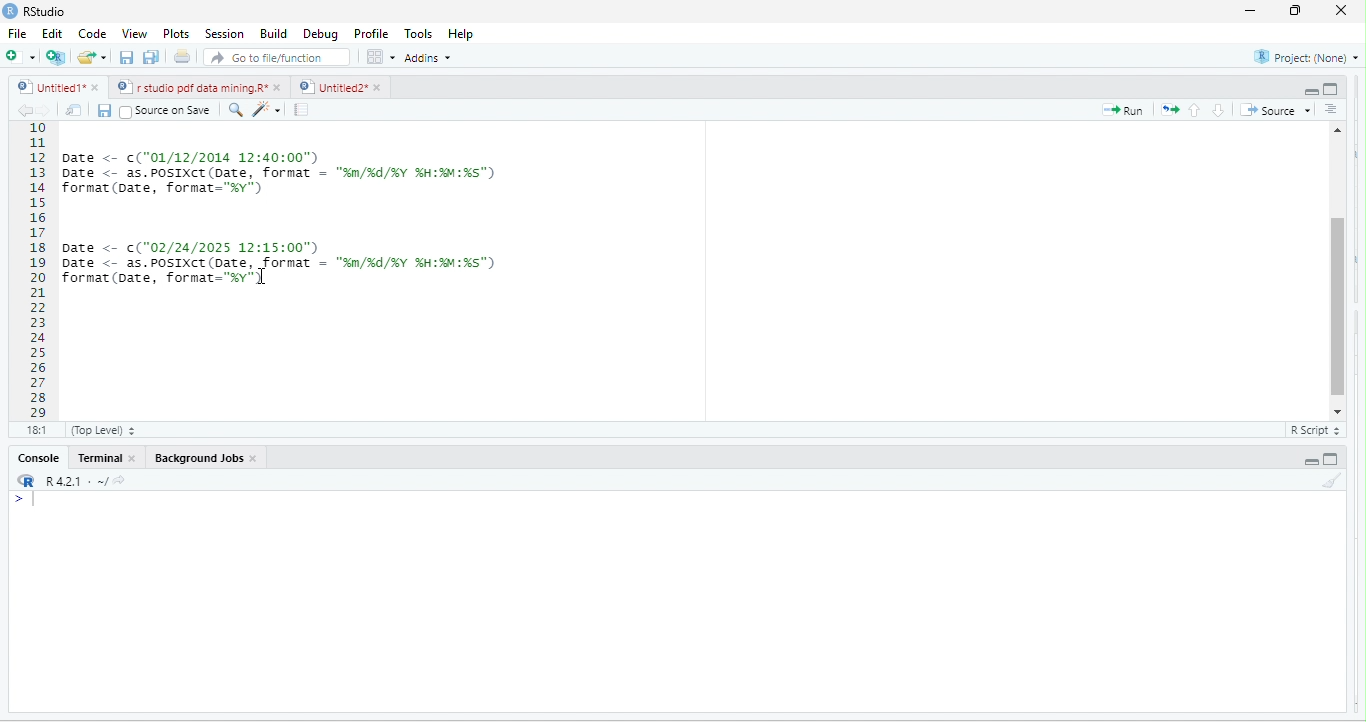 The width and height of the screenshot is (1366, 722). What do you see at coordinates (427, 58) in the screenshot?
I see `addins` at bounding box center [427, 58].